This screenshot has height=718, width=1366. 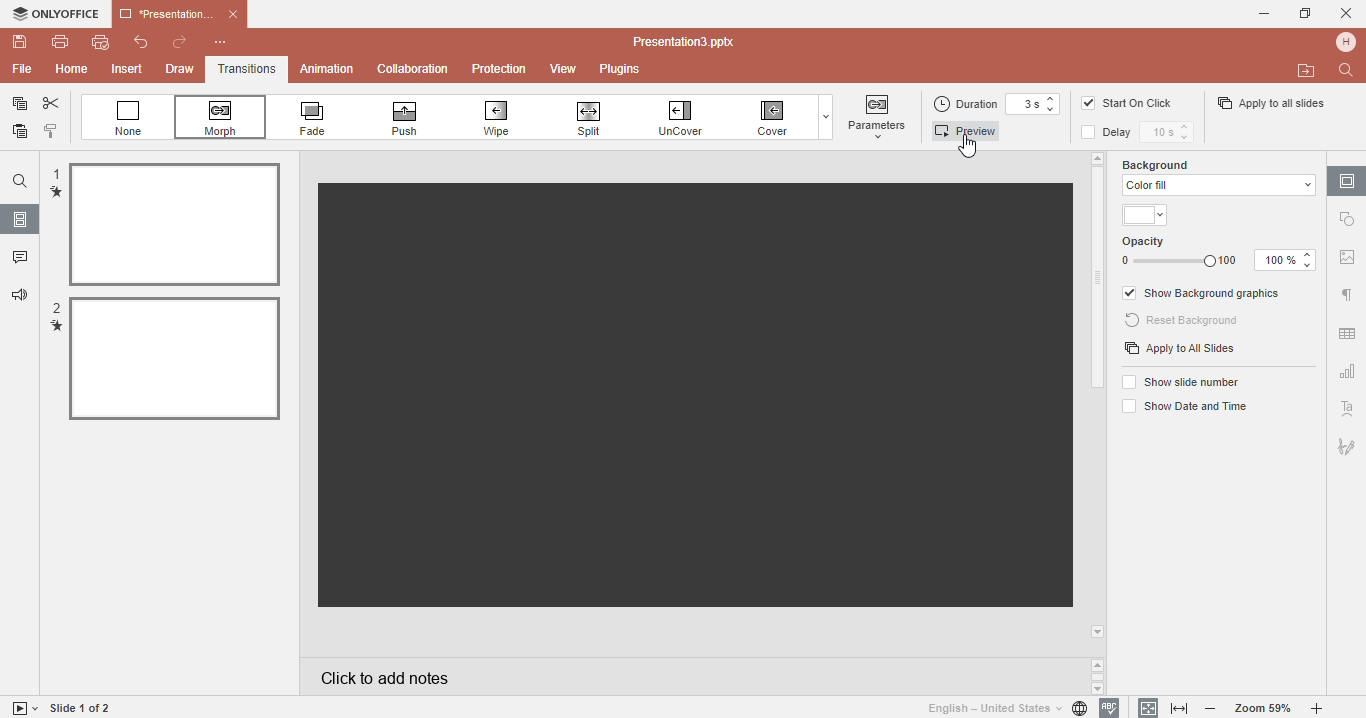 I want to click on Insert, so click(x=129, y=70).